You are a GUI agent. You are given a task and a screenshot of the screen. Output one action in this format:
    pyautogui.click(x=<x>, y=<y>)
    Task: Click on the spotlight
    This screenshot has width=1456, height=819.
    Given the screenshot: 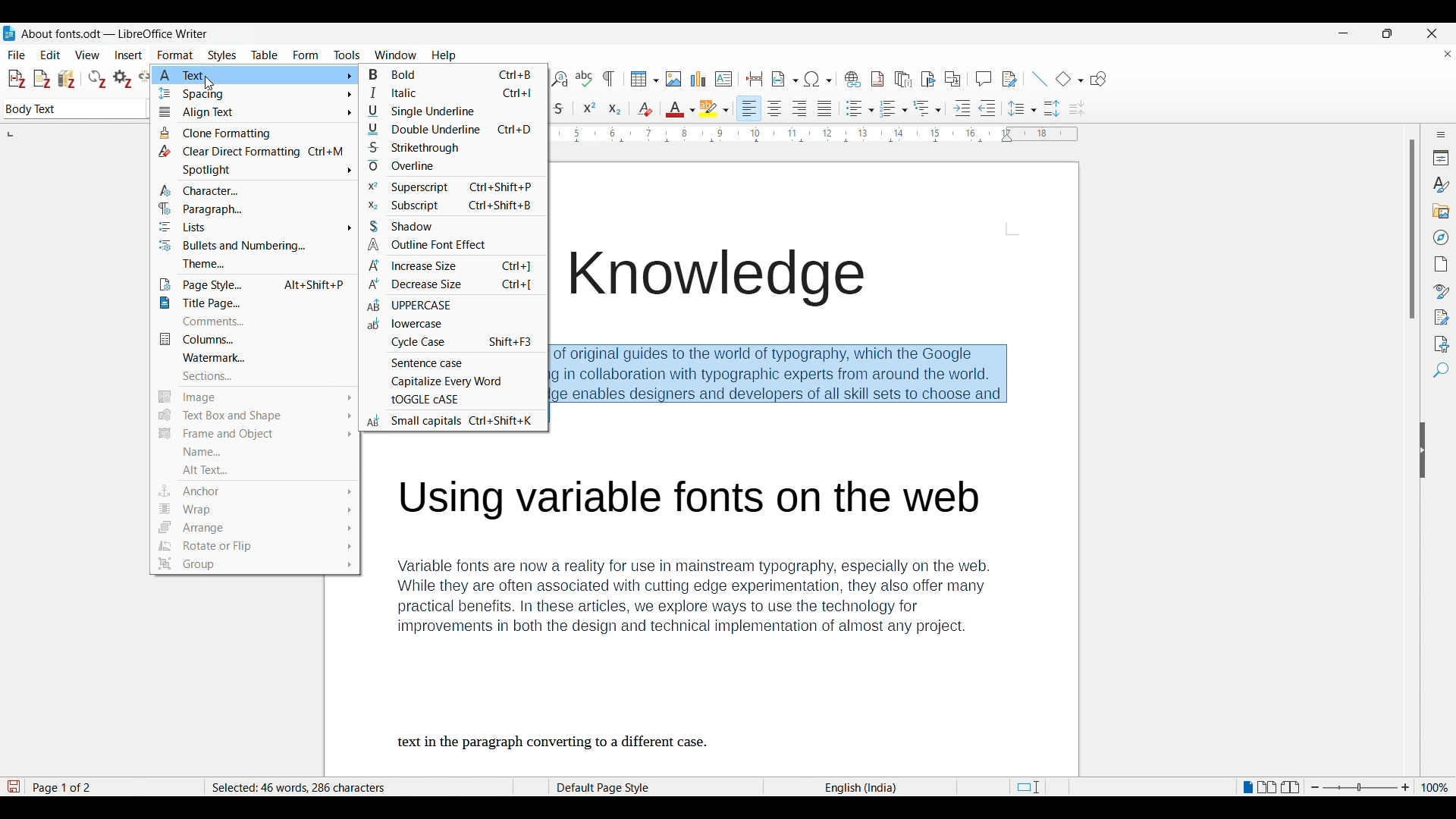 What is the action you would take?
    pyautogui.click(x=253, y=171)
    